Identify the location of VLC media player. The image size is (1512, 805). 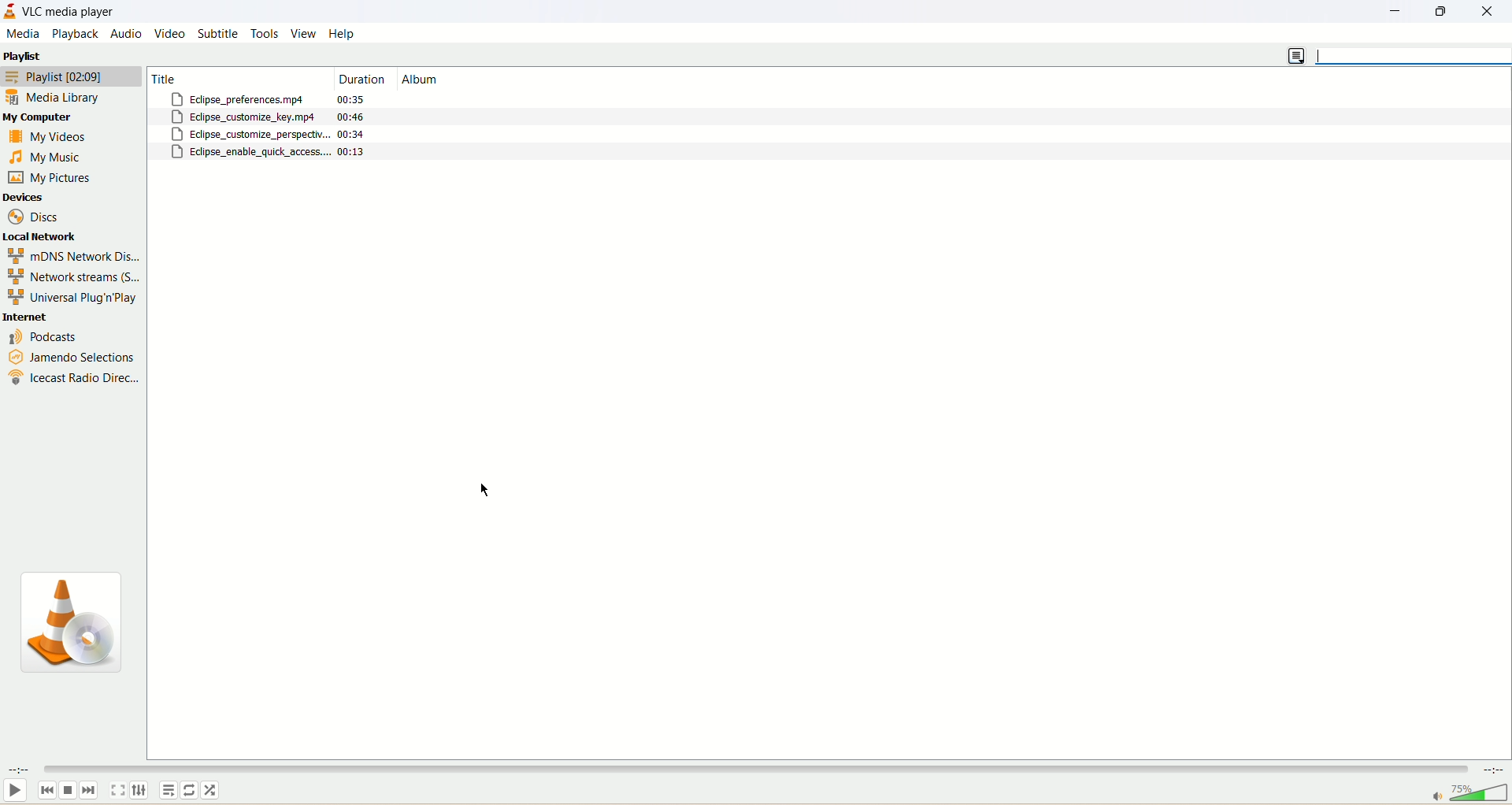
(72, 13).